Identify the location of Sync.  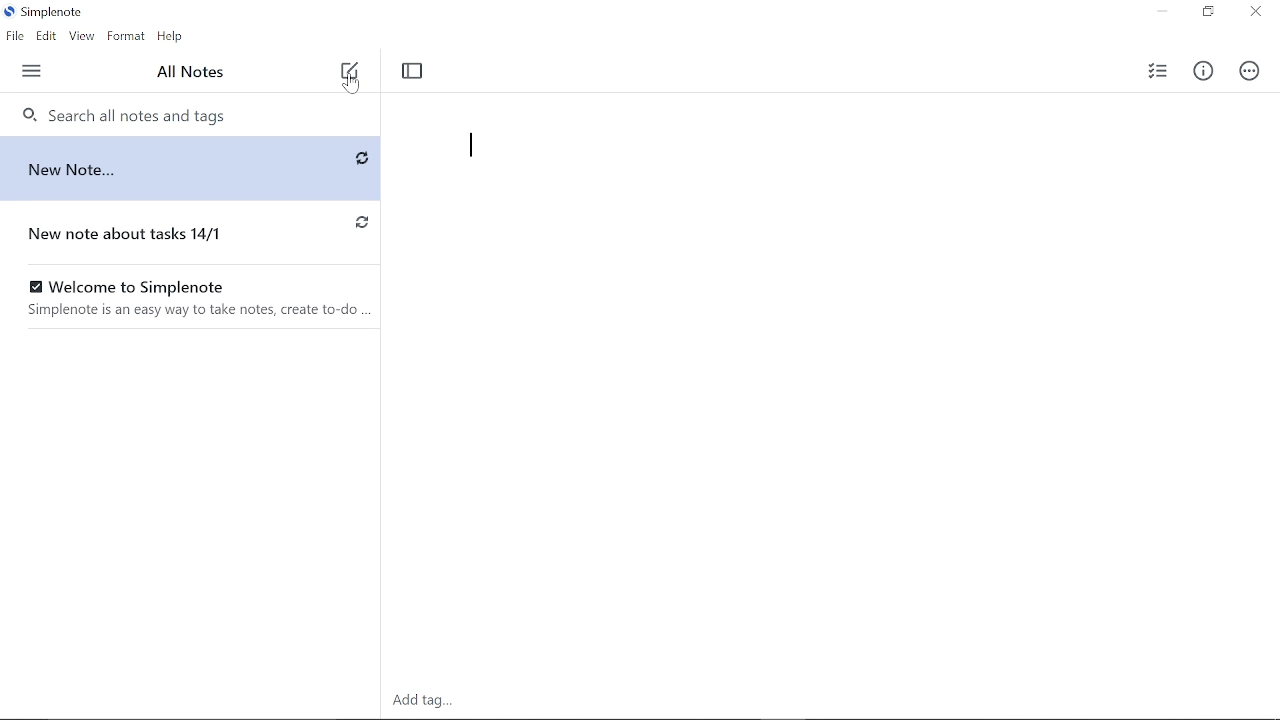
(360, 220).